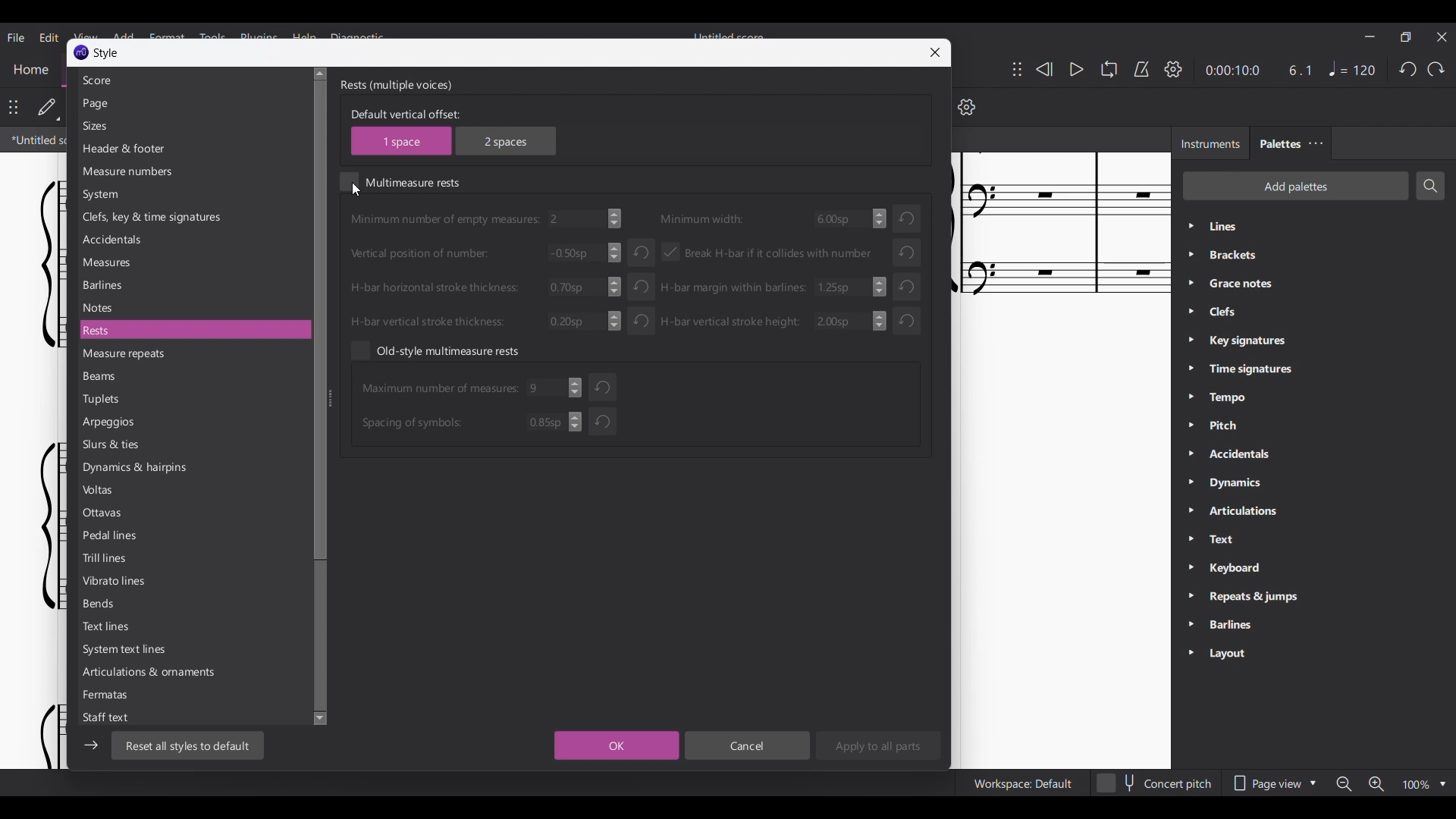 This screenshot has height=819, width=1456. I want to click on Tempo, so click(1352, 68).